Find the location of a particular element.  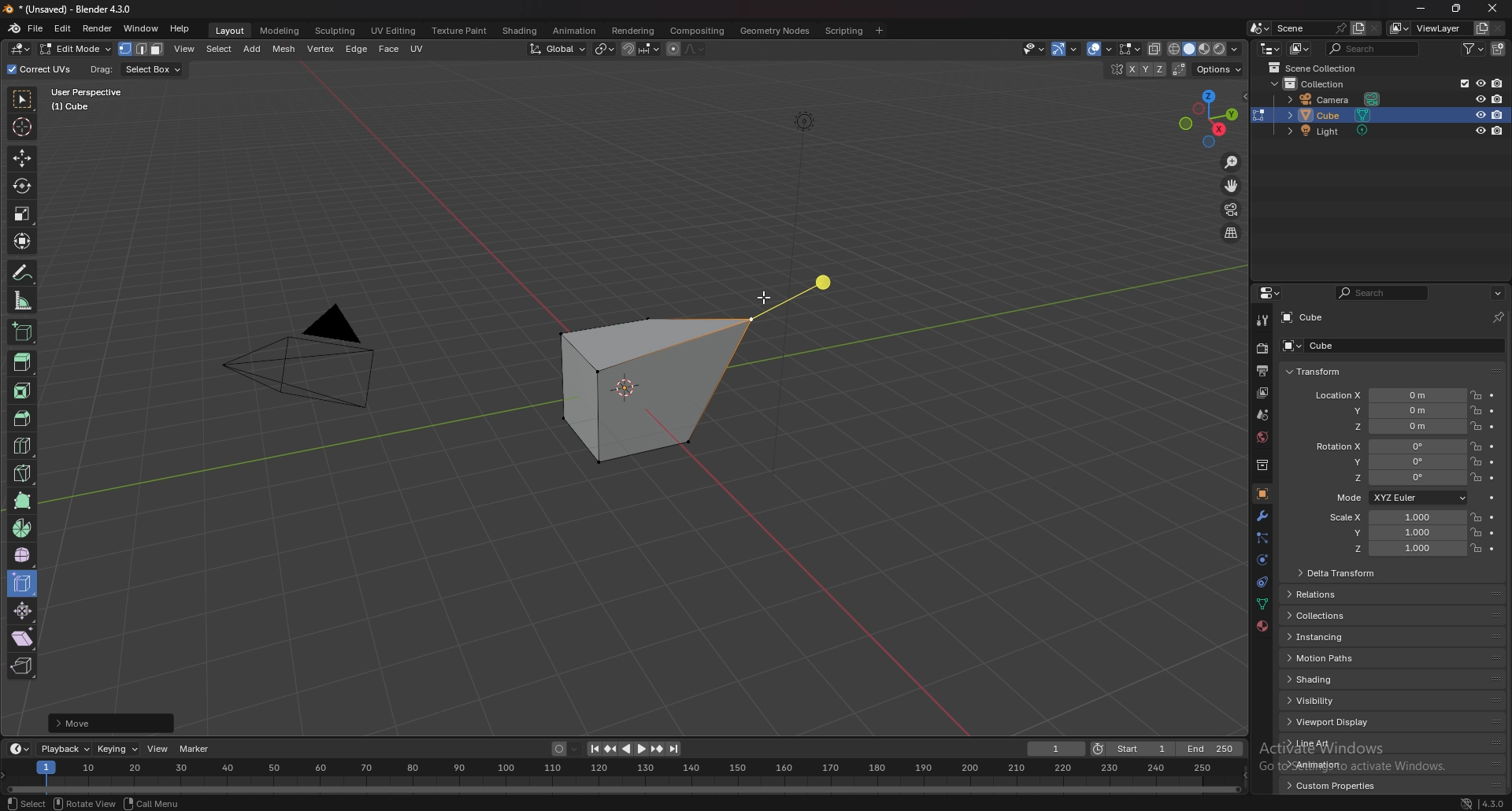

hide in viewport is located at coordinates (1111, 87).